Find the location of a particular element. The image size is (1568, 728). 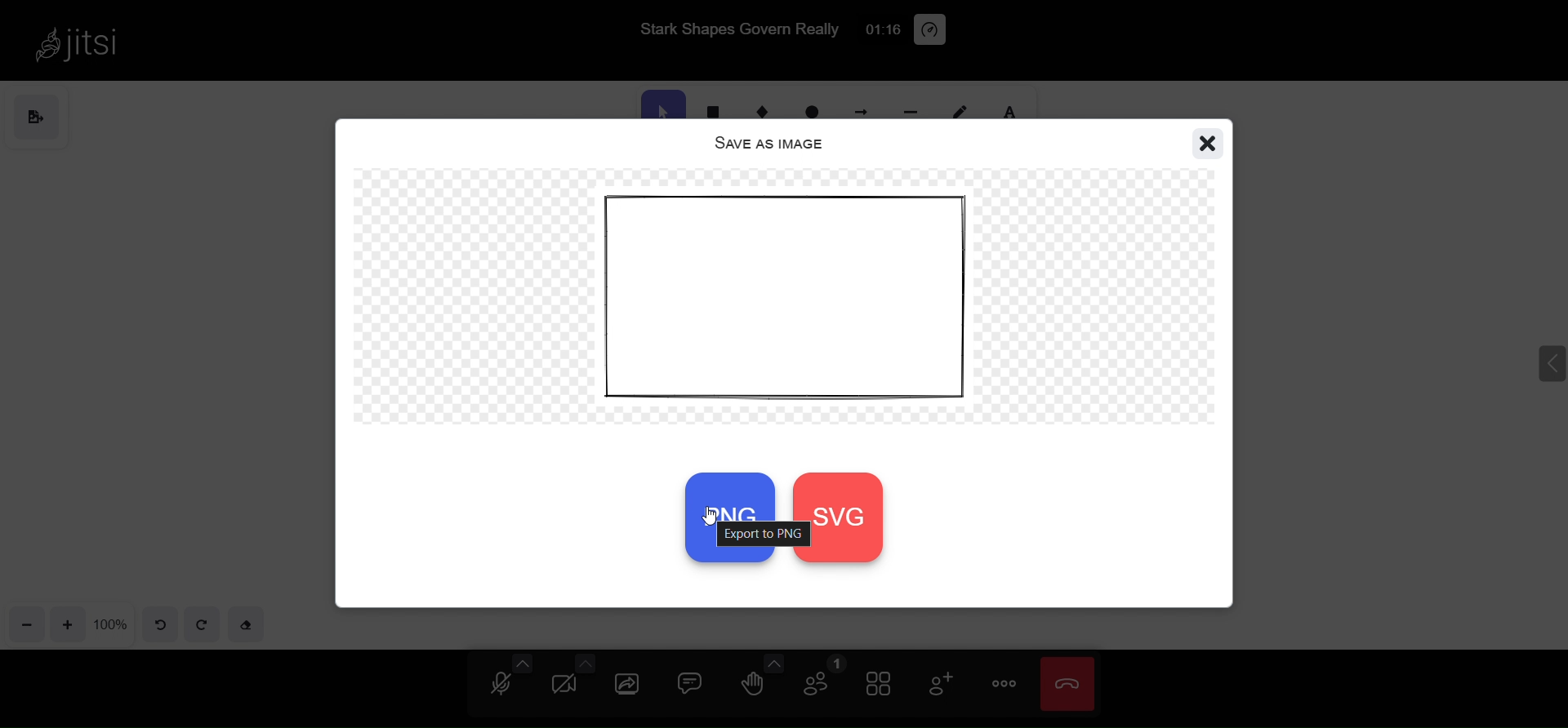

jitsi is located at coordinates (78, 42).